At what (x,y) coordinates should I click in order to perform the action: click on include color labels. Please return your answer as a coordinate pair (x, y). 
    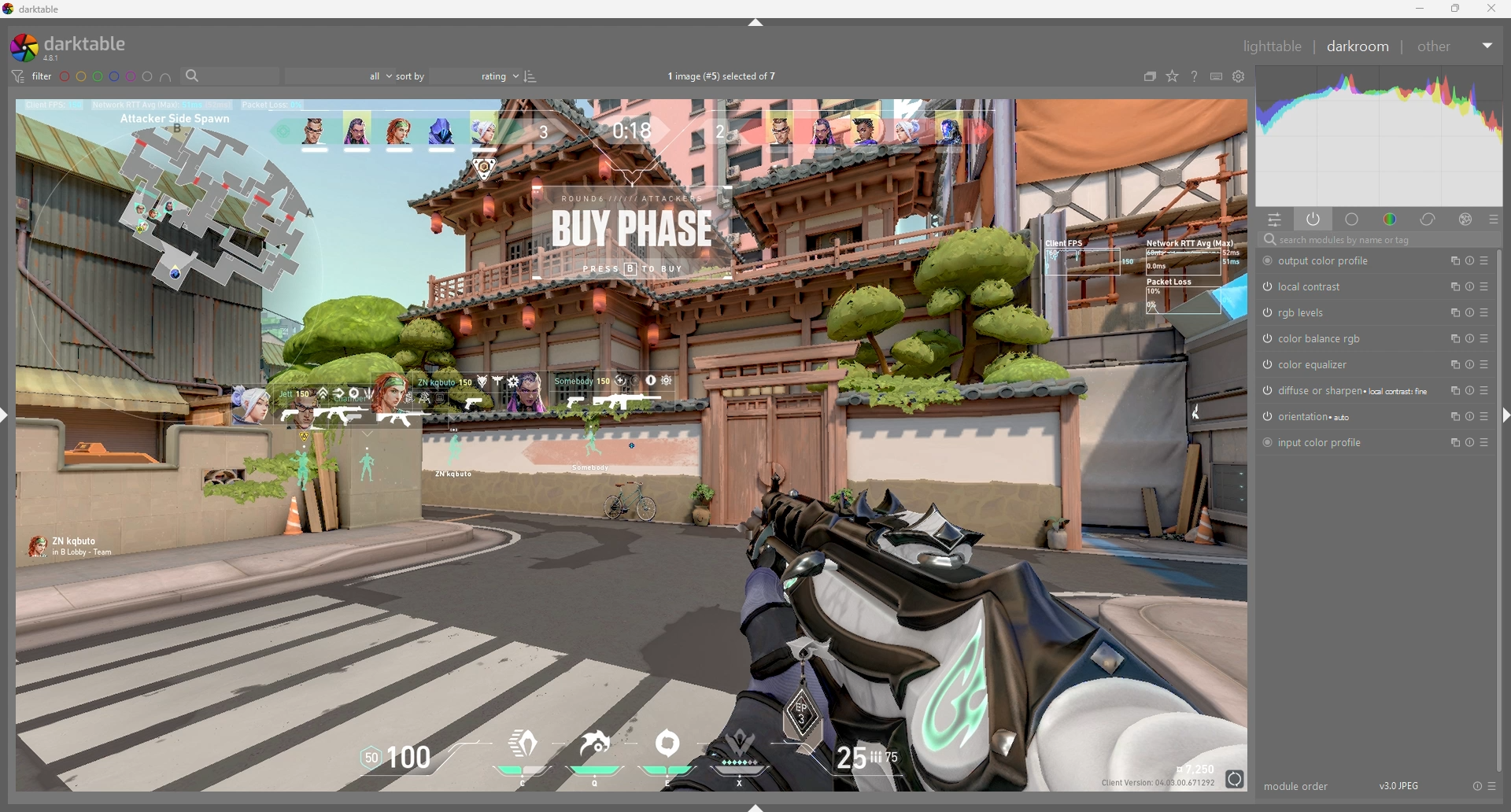
    Looking at the image, I should click on (165, 76).